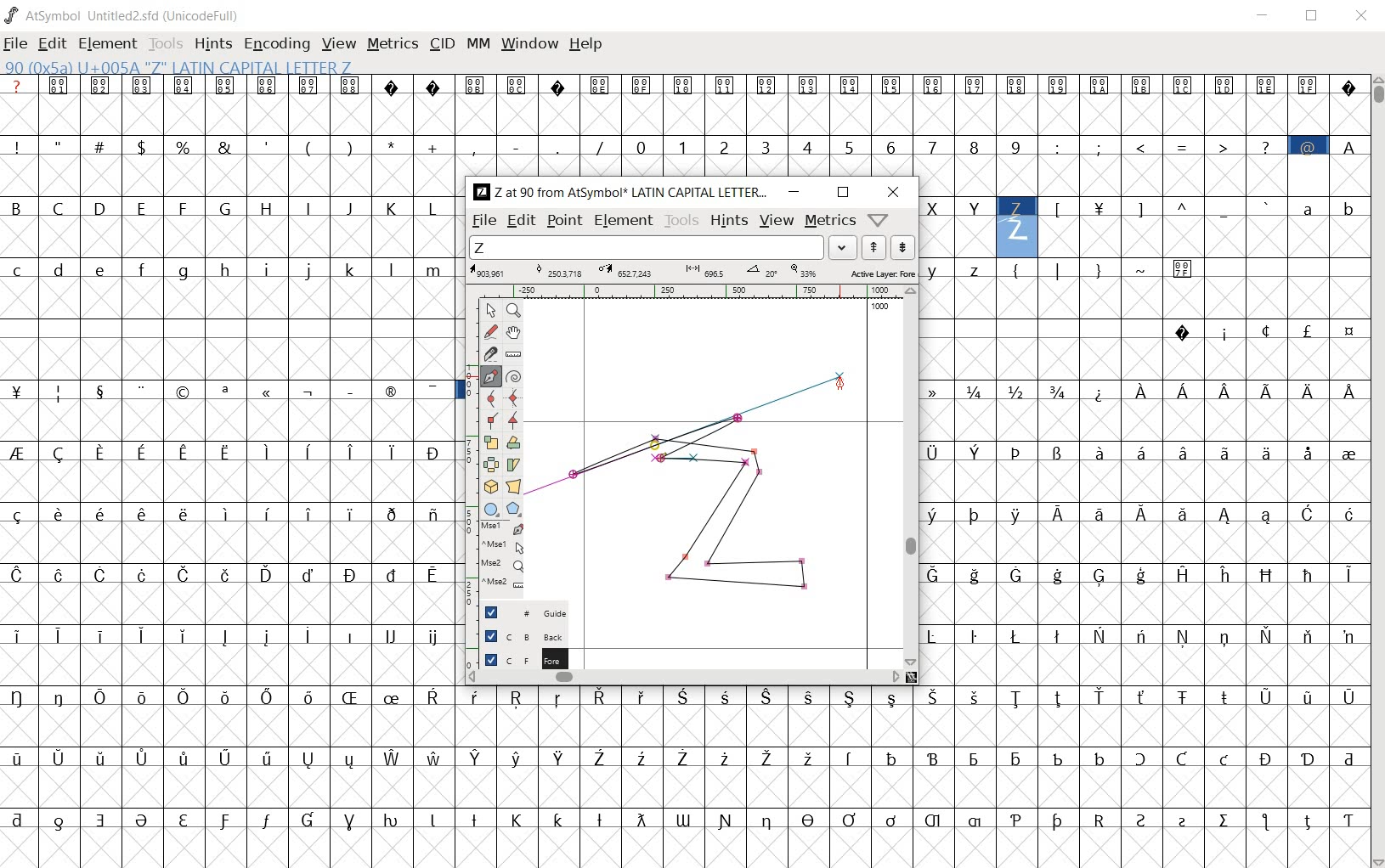  What do you see at coordinates (512, 420) in the screenshot?
I see `Add a corner point` at bounding box center [512, 420].